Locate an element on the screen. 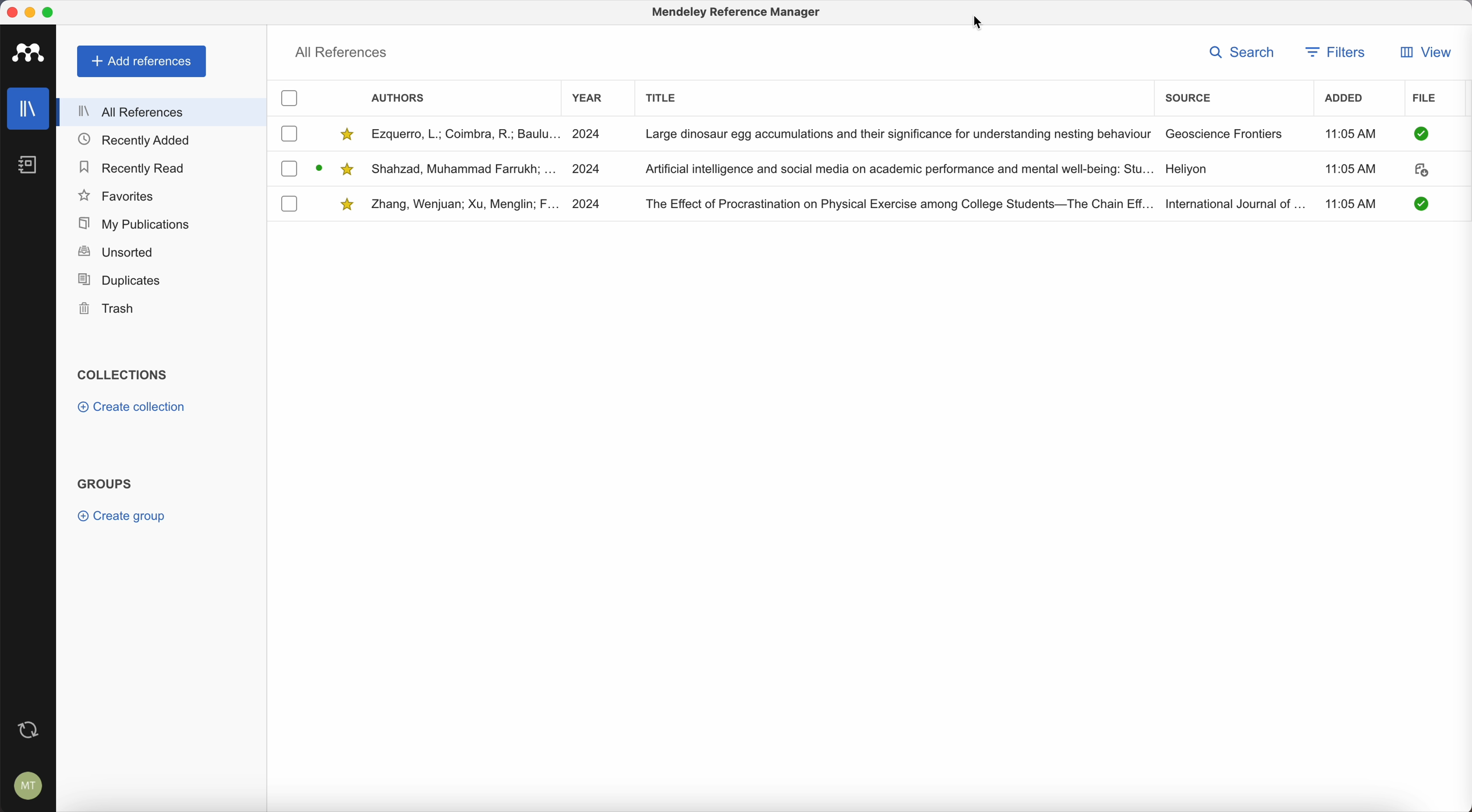 Image resolution: width=1472 pixels, height=812 pixels. Shahzad, Muhammad Farrukh;... is located at coordinates (466, 168).